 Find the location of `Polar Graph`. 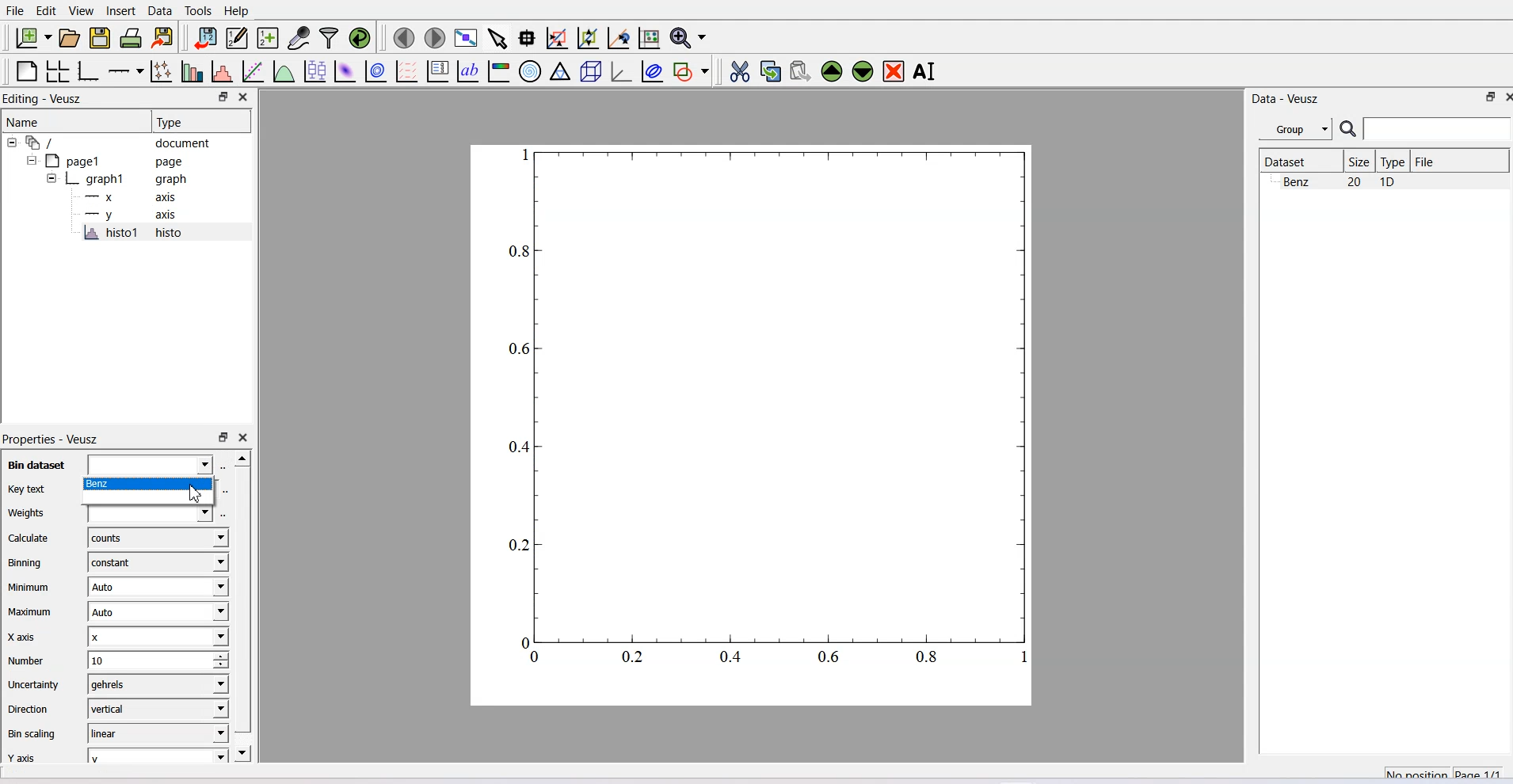

Polar Graph is located at coordinates (530, 72).